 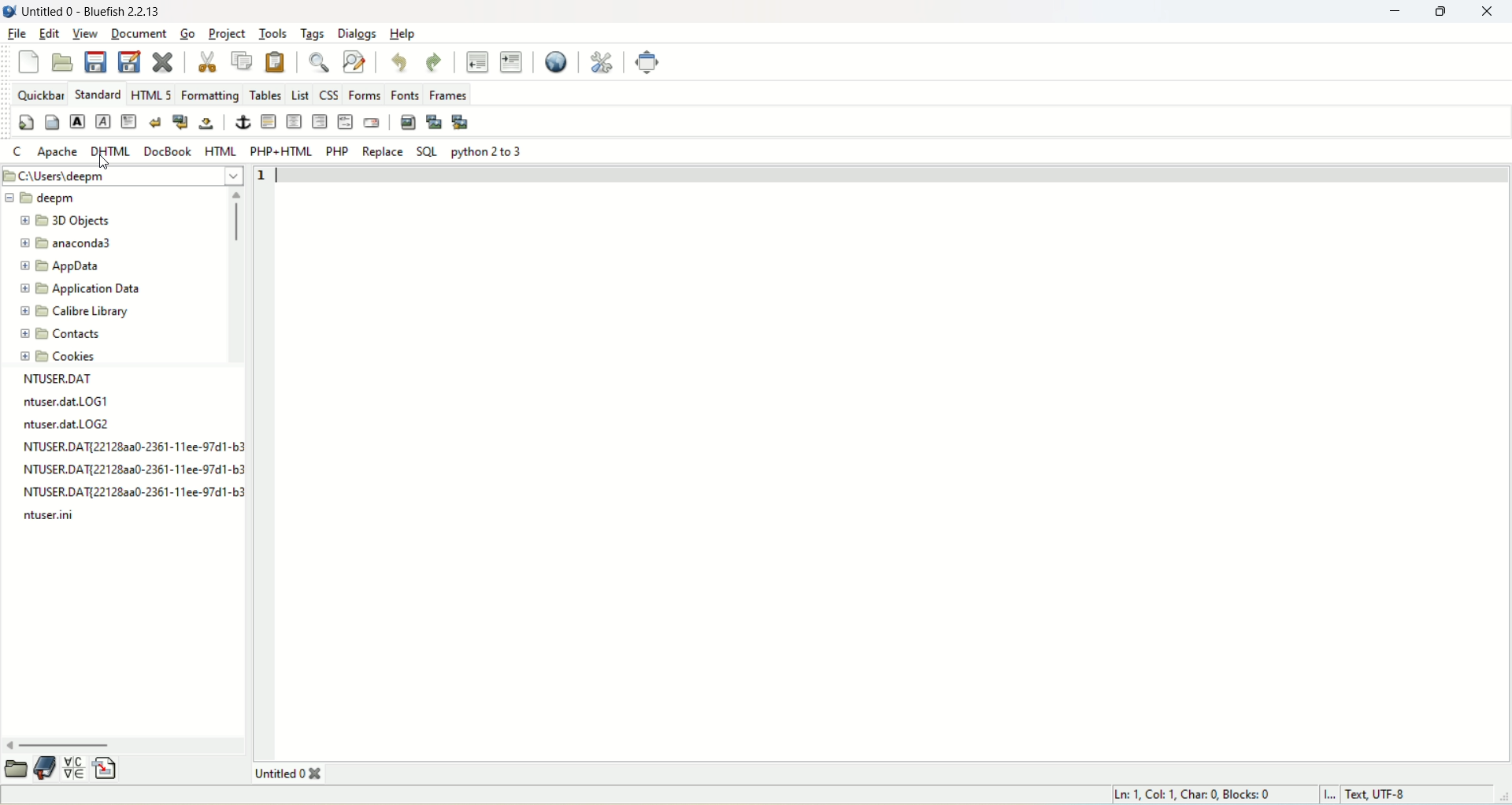 I want to click on quickstart, so click(x=27, y=122).